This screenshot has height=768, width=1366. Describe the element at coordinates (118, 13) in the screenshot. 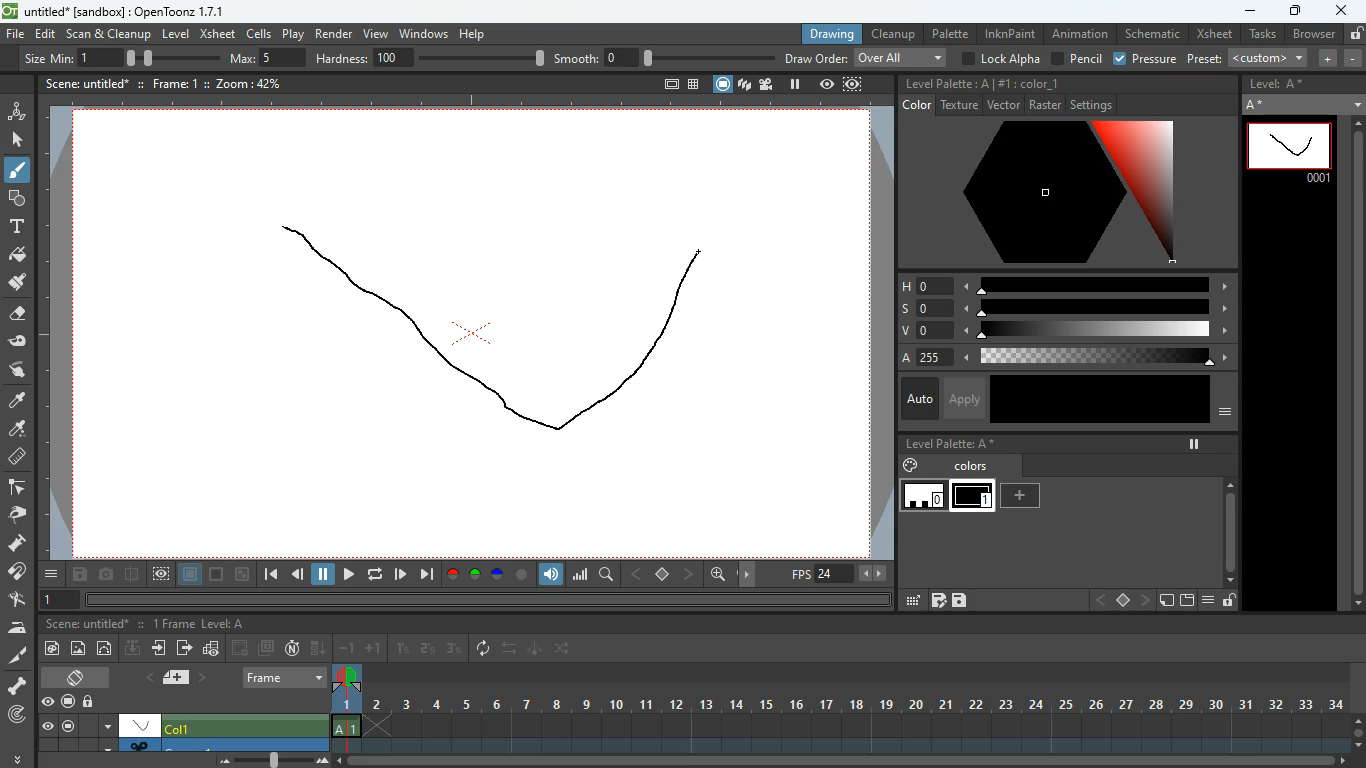

I see `opentoonz` at that location.